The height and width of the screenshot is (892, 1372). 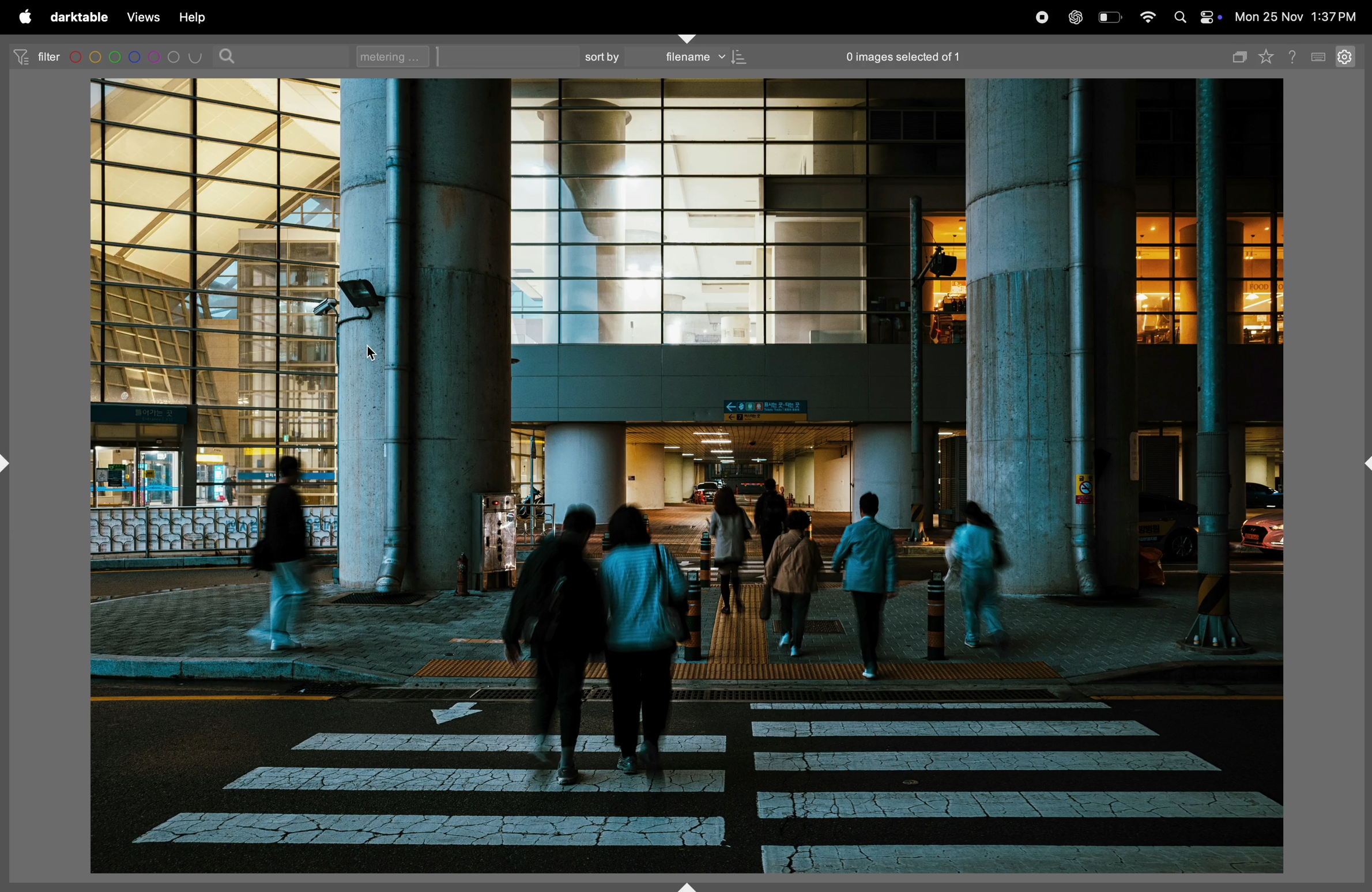 What do you see at coordinates (1212, 18) in the screenshot?
I see `apple widgets` at bounding box center [1212, 18].